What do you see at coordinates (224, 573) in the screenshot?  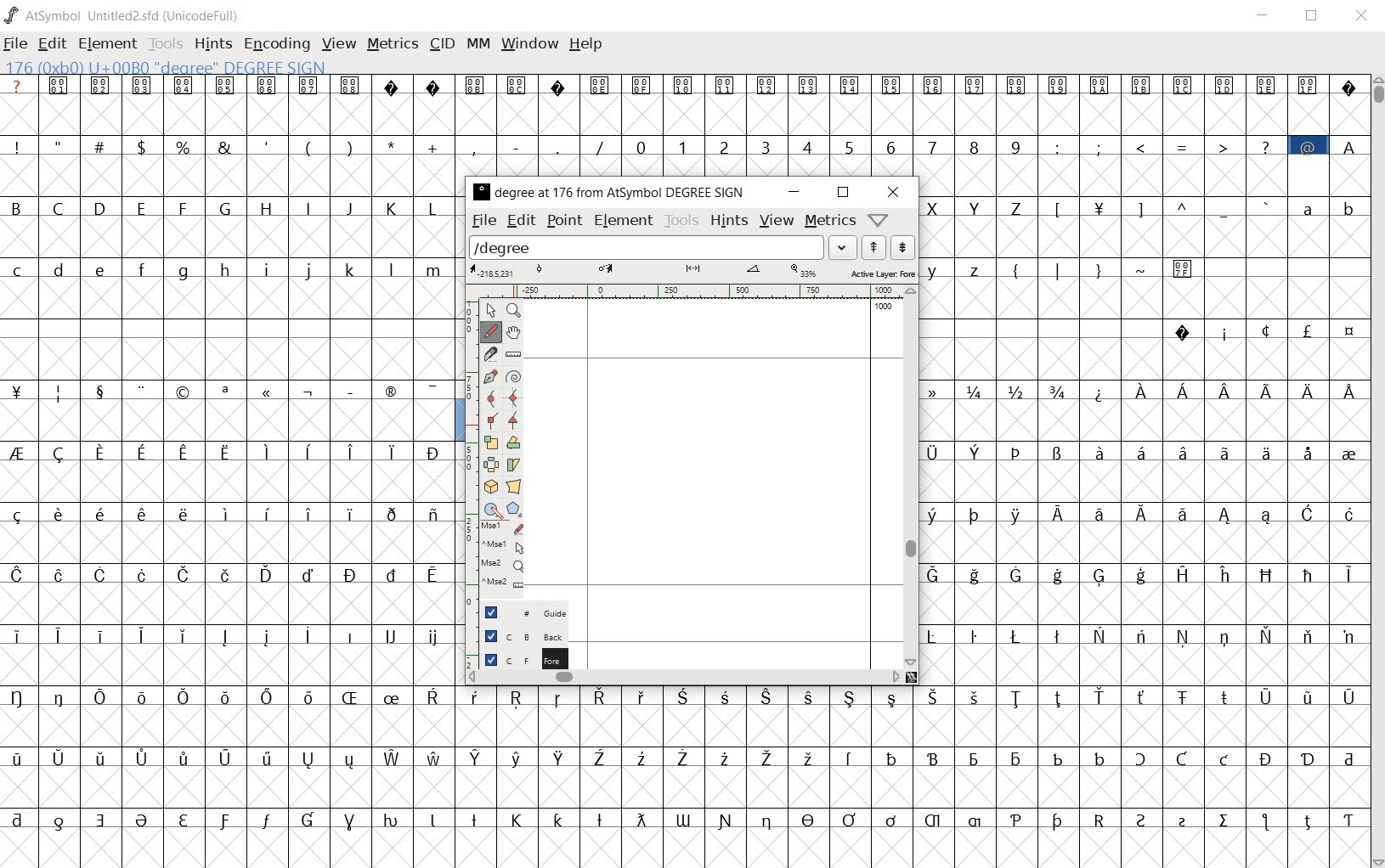 I see `` at bounding box center [224, 573].